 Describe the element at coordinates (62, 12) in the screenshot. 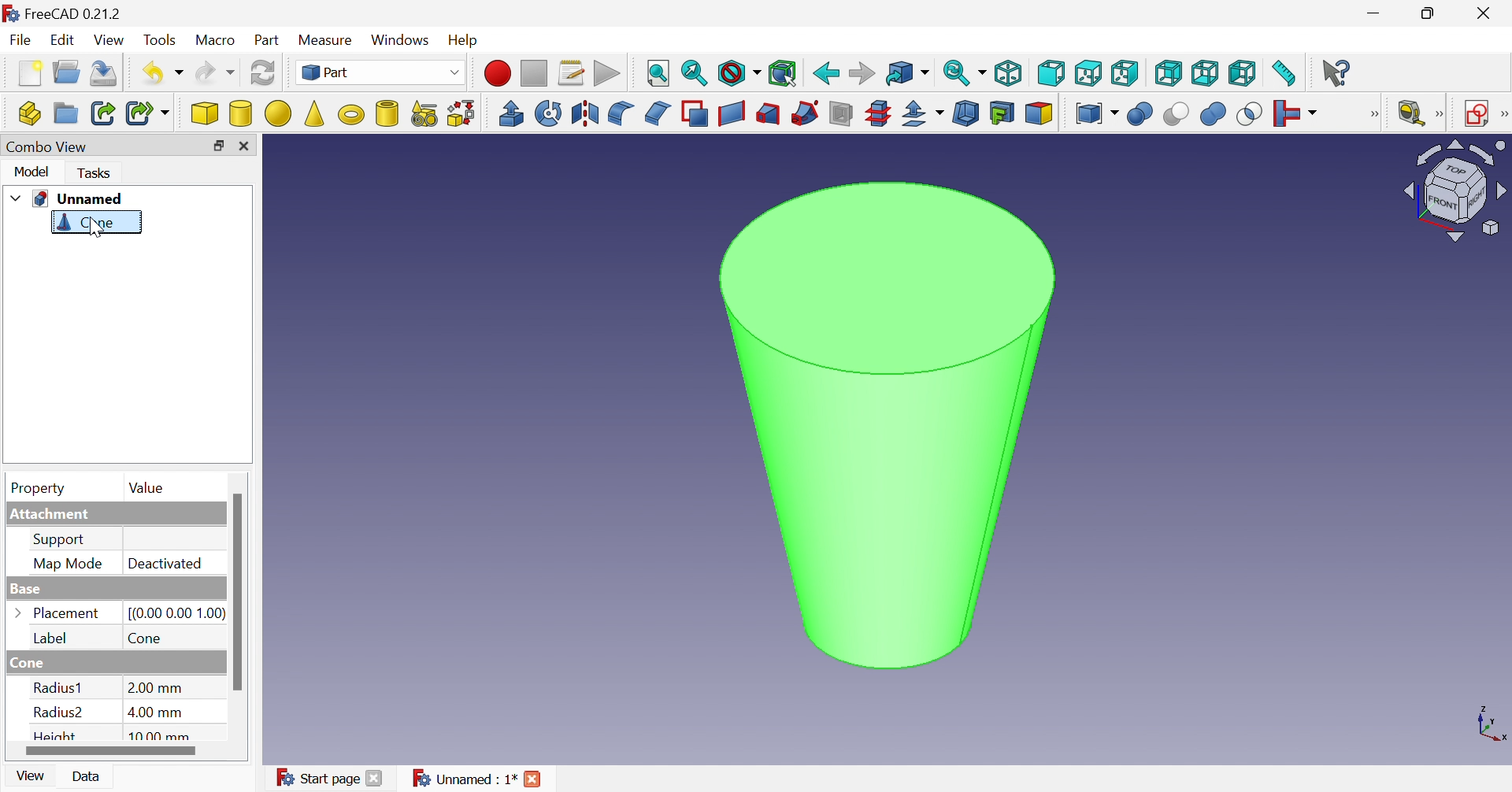

I see `FreeCAD 0.21.2 (Application details)` at that location.